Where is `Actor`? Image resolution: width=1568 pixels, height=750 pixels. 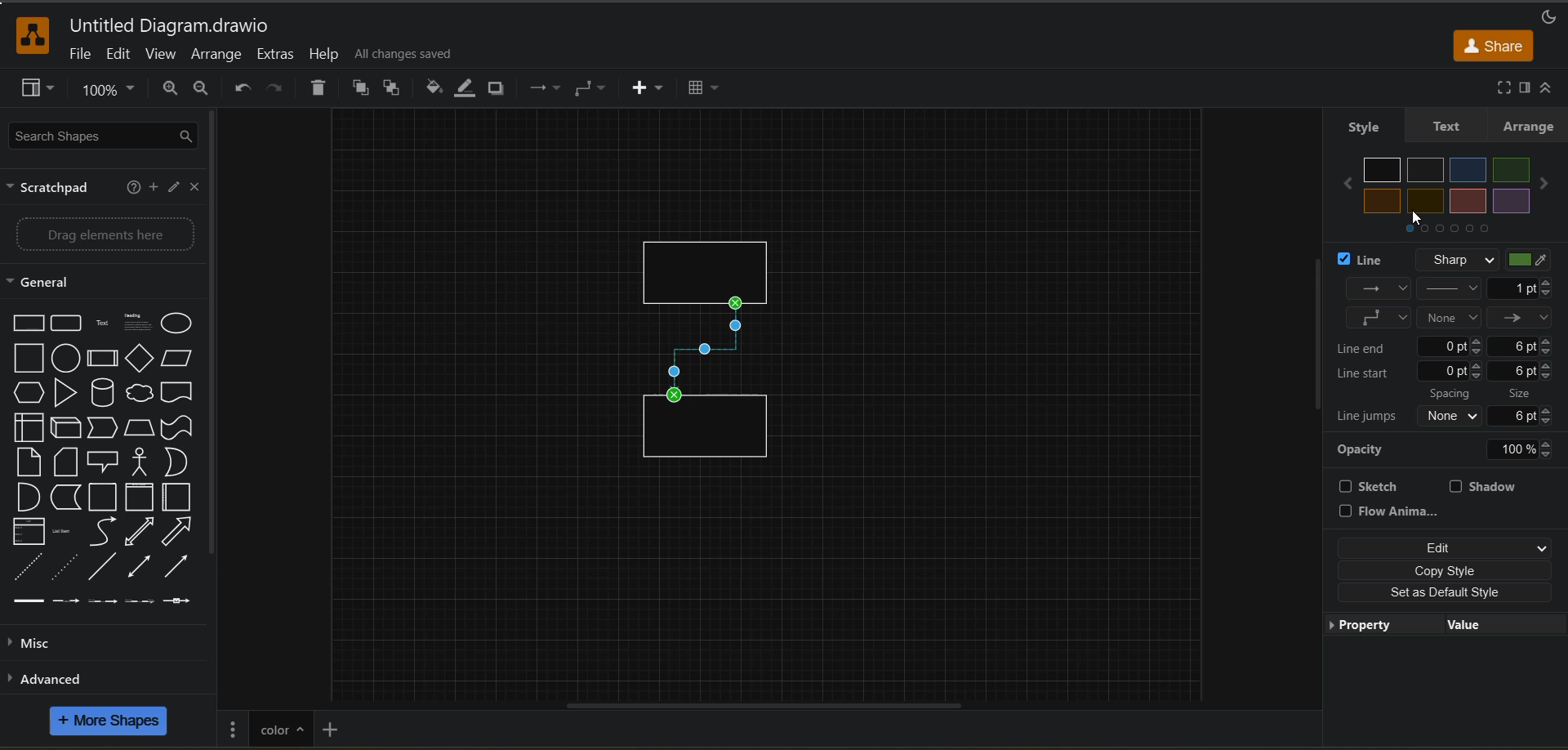
Actor is located at coordinates (144, 462).